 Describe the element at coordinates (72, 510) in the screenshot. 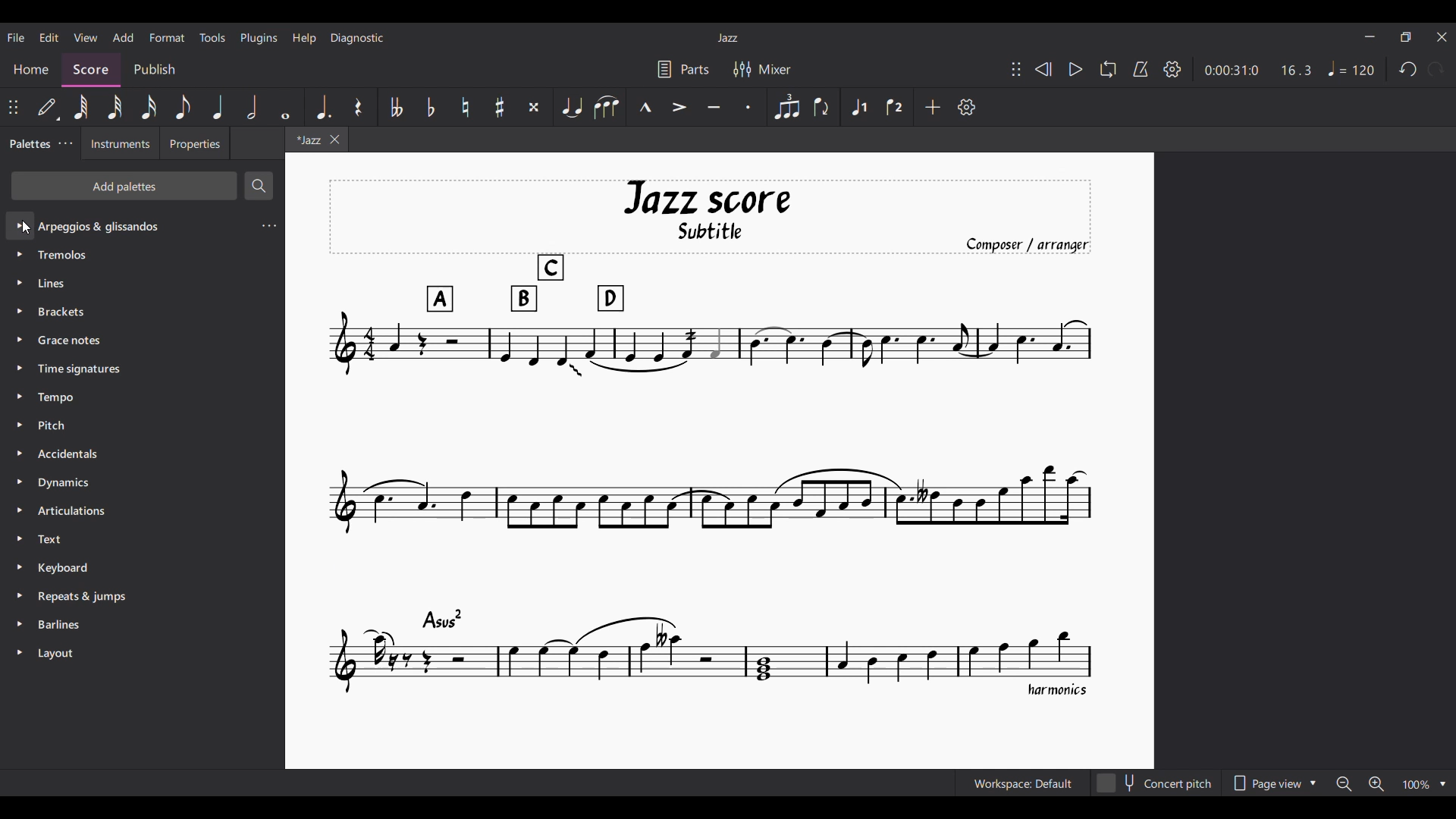

I see `Articulations` at that location.